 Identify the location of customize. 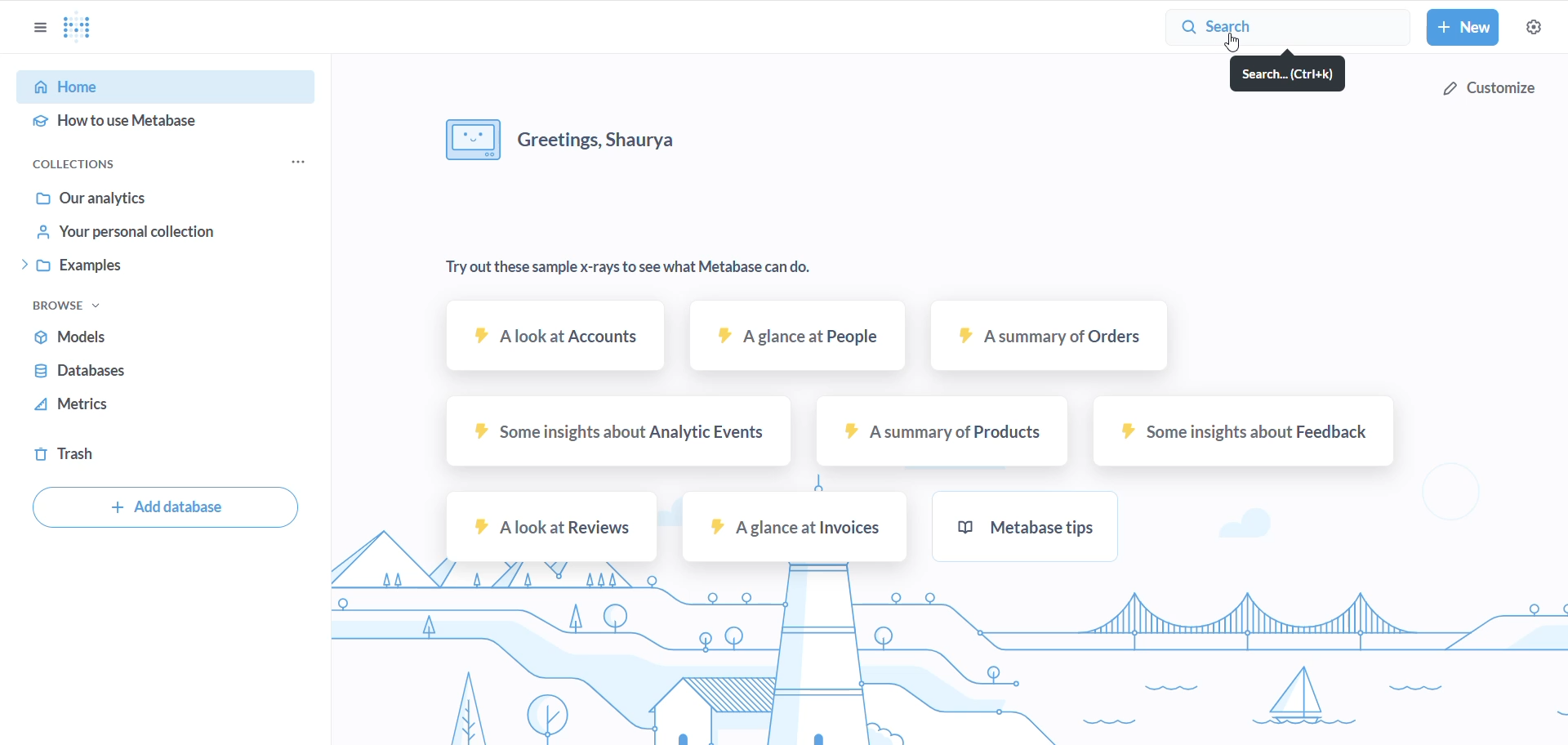
(1488, 87).